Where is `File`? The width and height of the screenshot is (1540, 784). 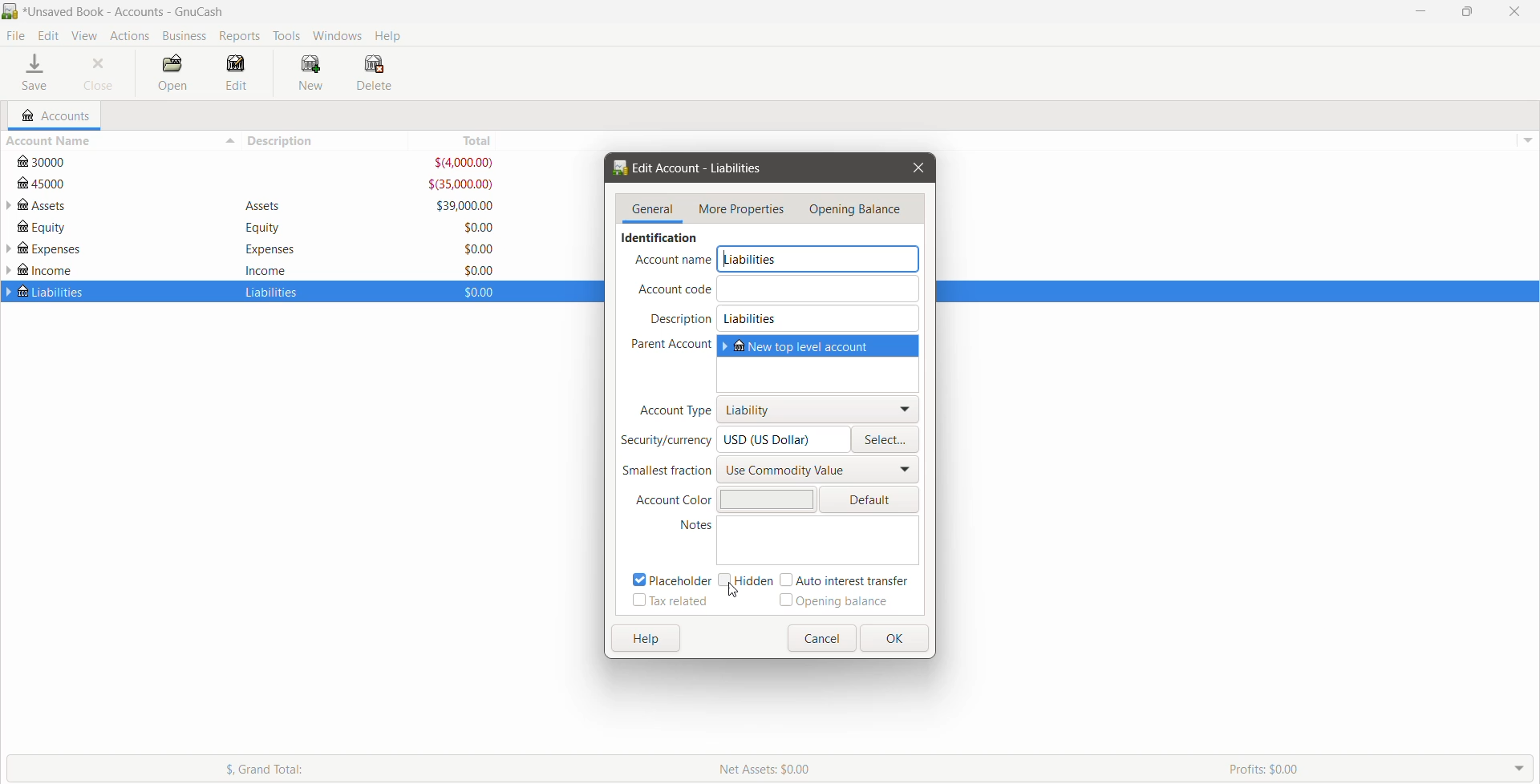
File is located at coordinates (16, 36).